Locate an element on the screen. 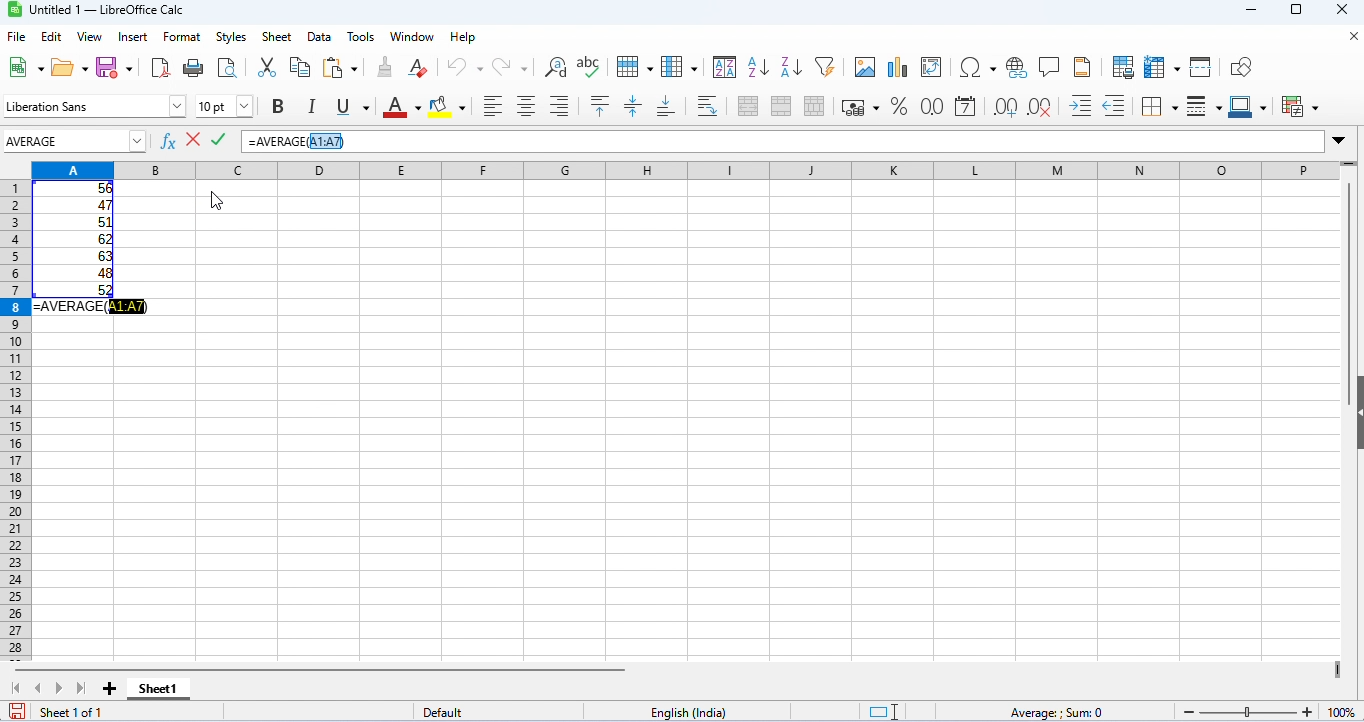  close is located at coordinates (1351, 37).